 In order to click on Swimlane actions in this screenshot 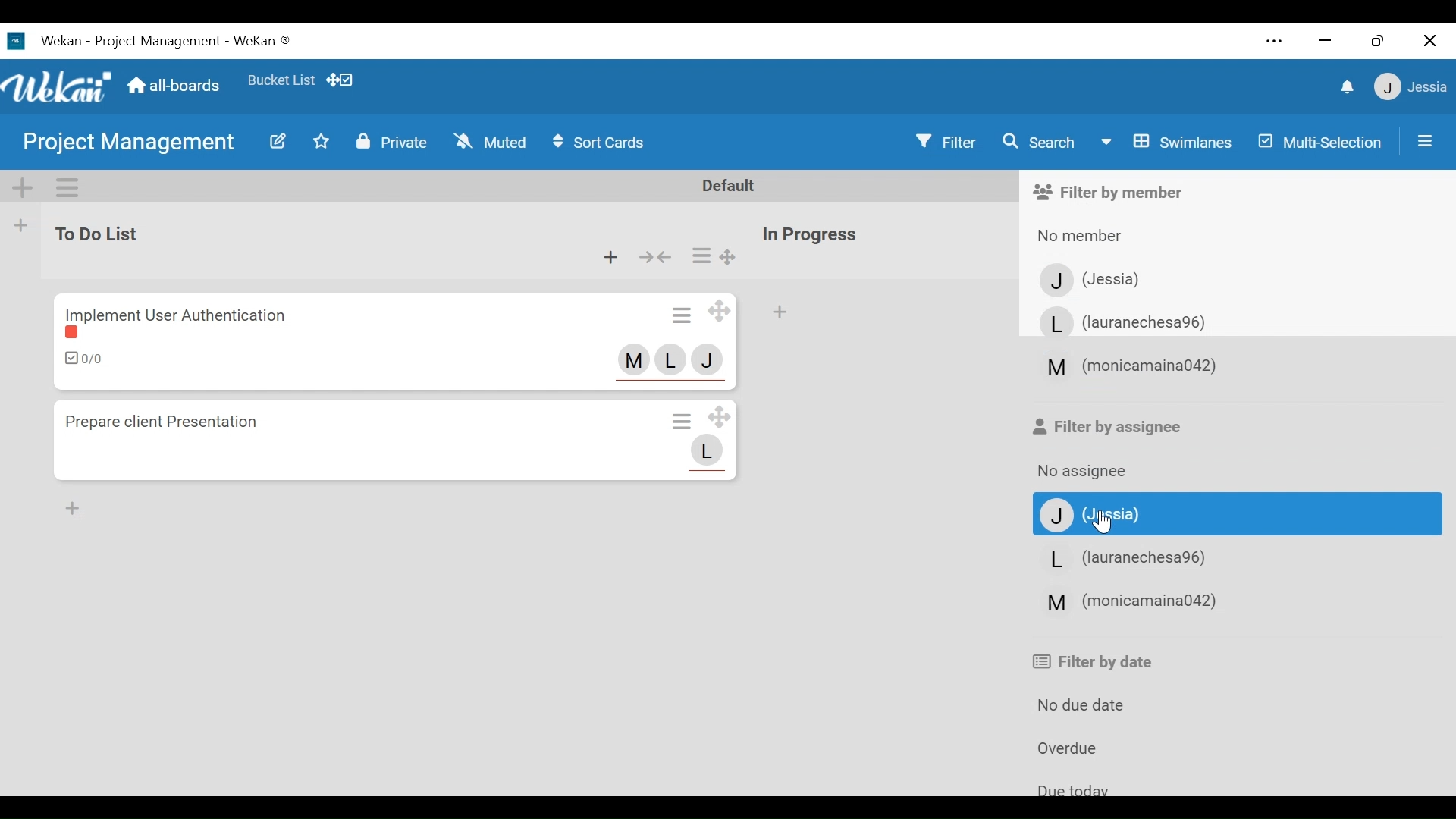, I will do `click(67, 187)`.